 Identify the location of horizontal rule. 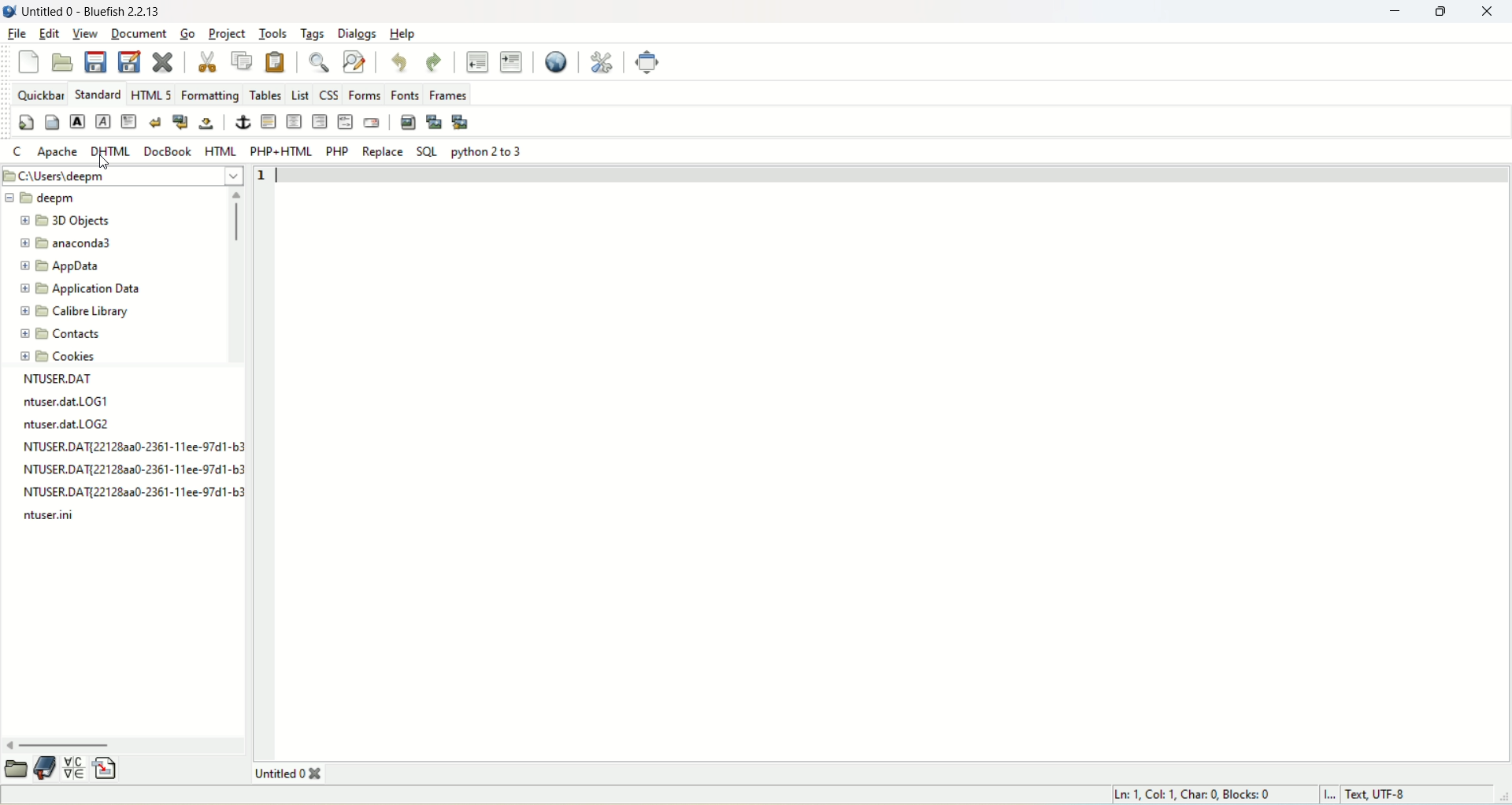
(269, 122).